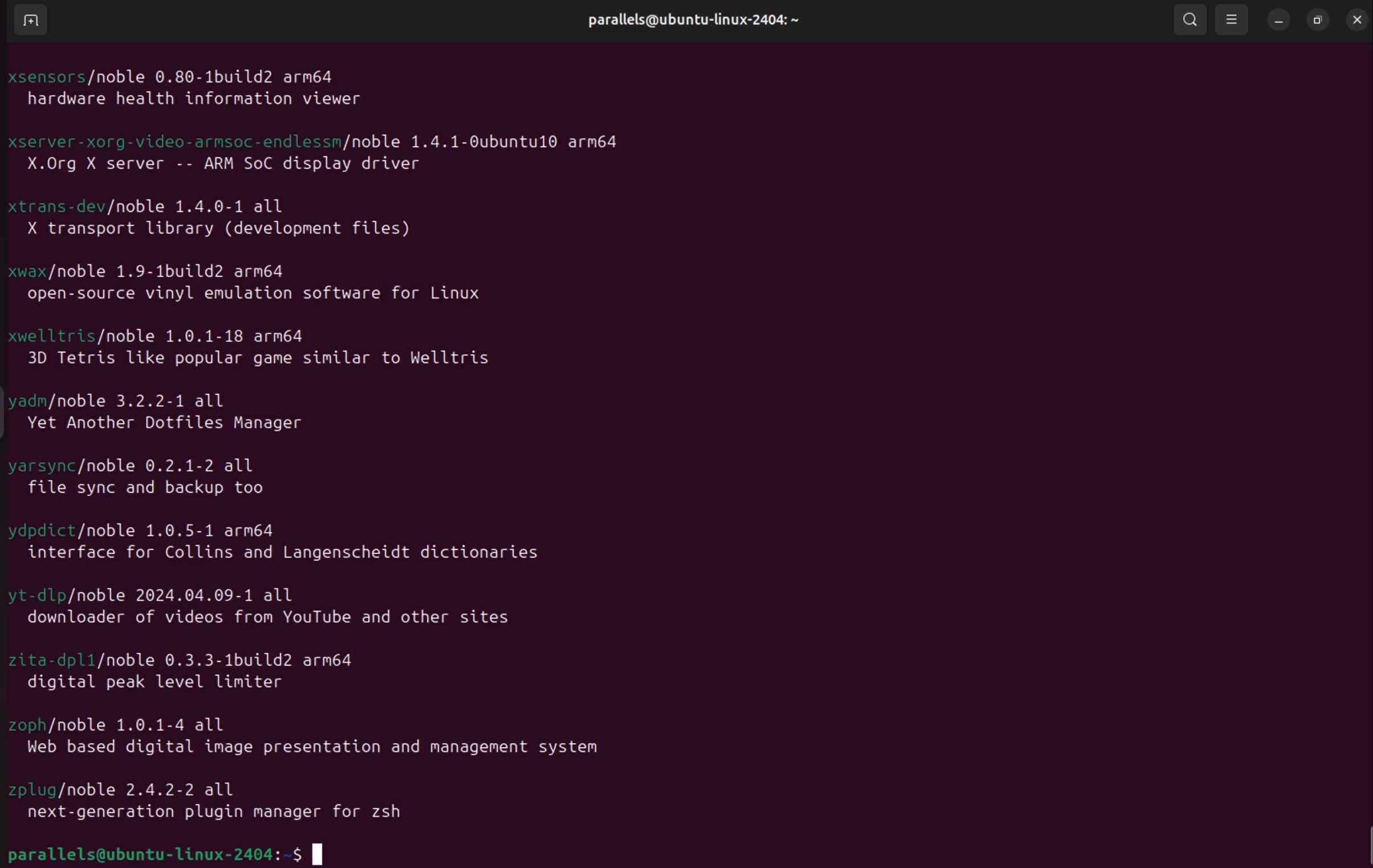 This screenshot has height=868, width=1373. I want to click on close, so click(1359, 20).